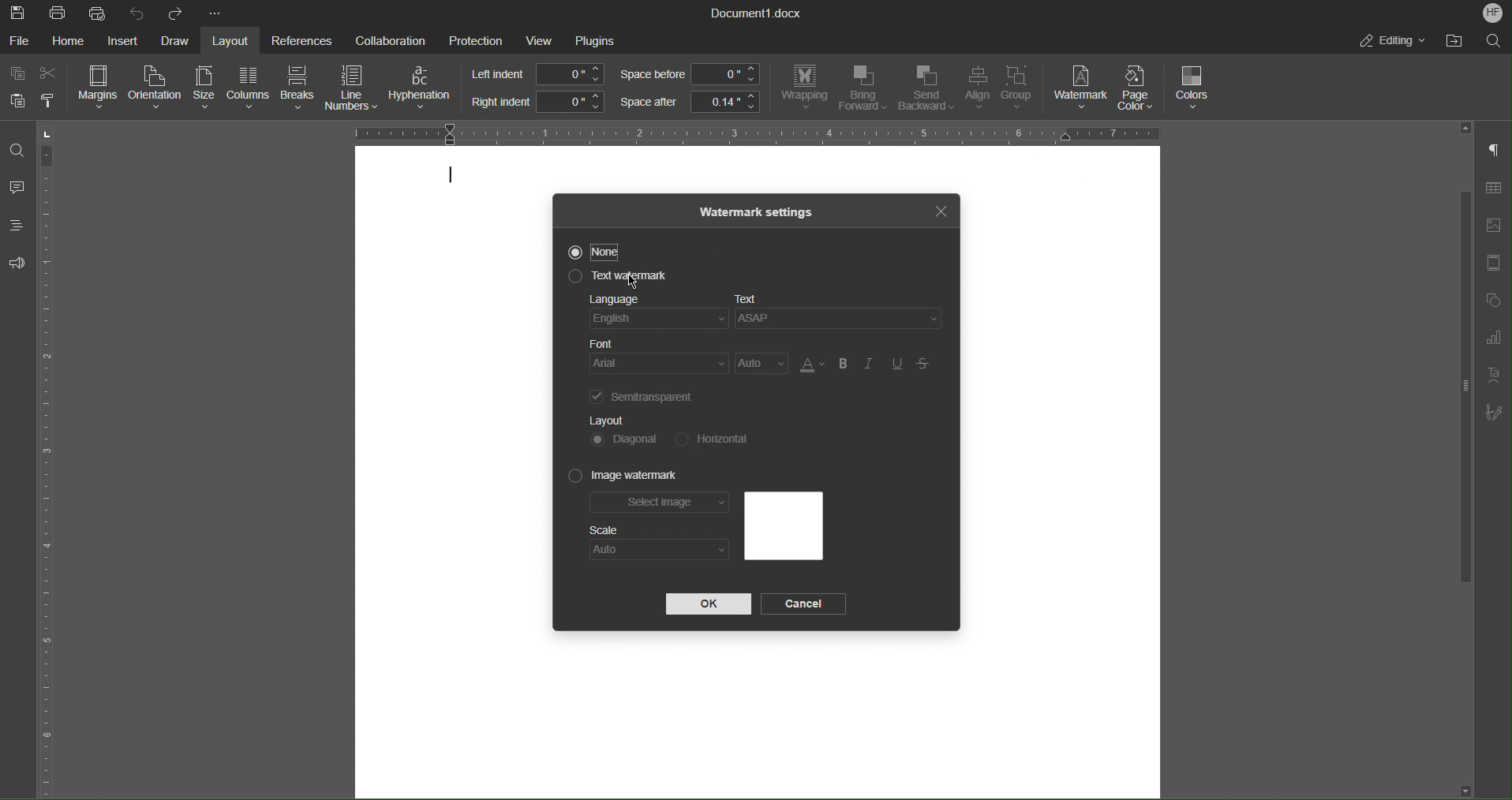 The height and width of the screenshot is (800, 1512). I want to click on Home, so click(71, 41).